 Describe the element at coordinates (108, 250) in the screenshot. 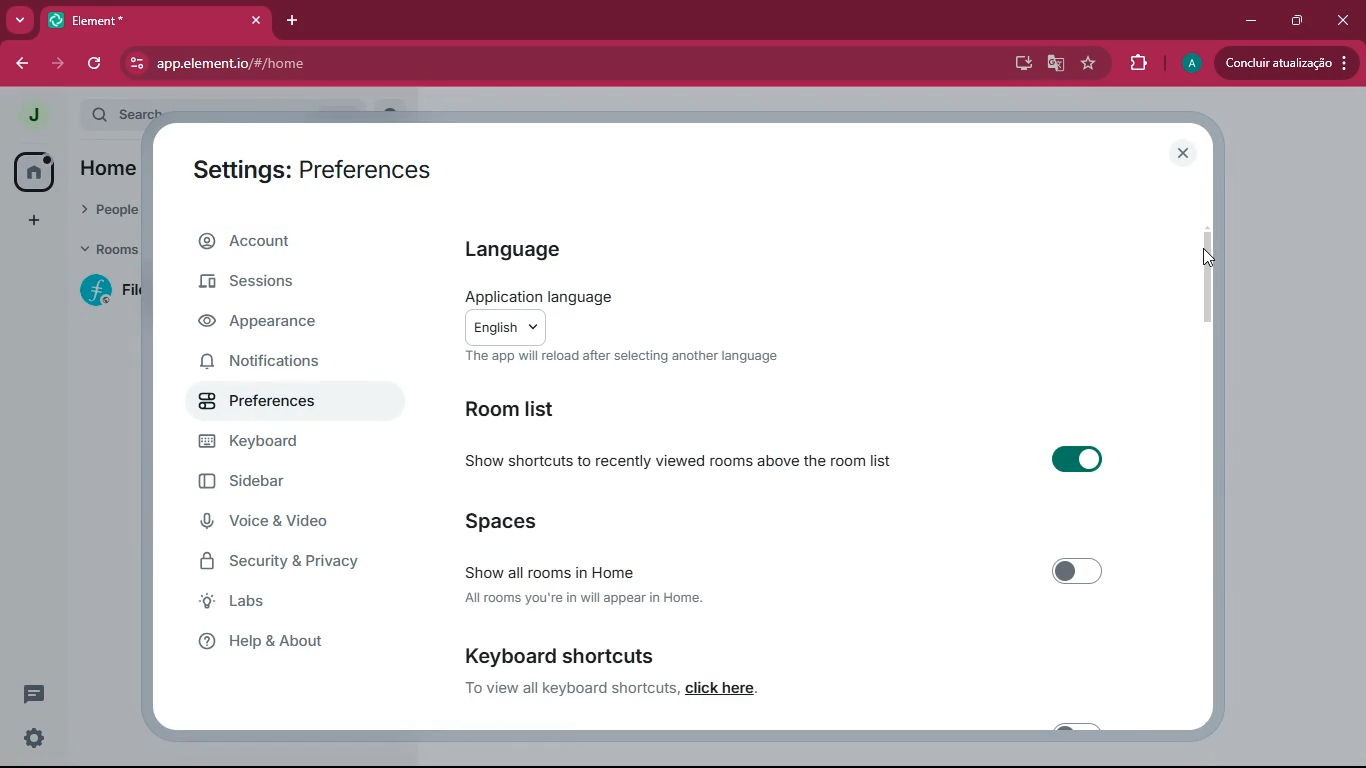

I see `rooms` at that location.